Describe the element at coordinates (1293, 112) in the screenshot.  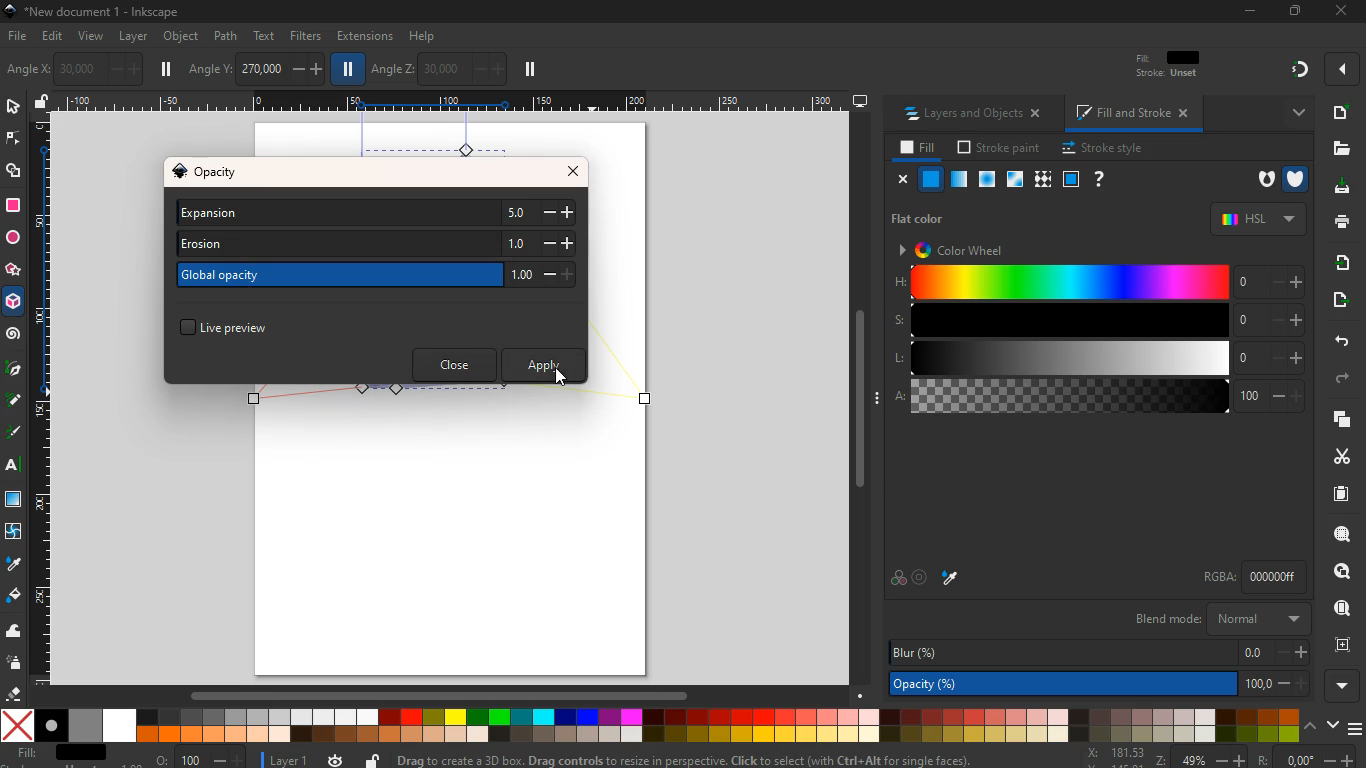
I see `more` at that location.